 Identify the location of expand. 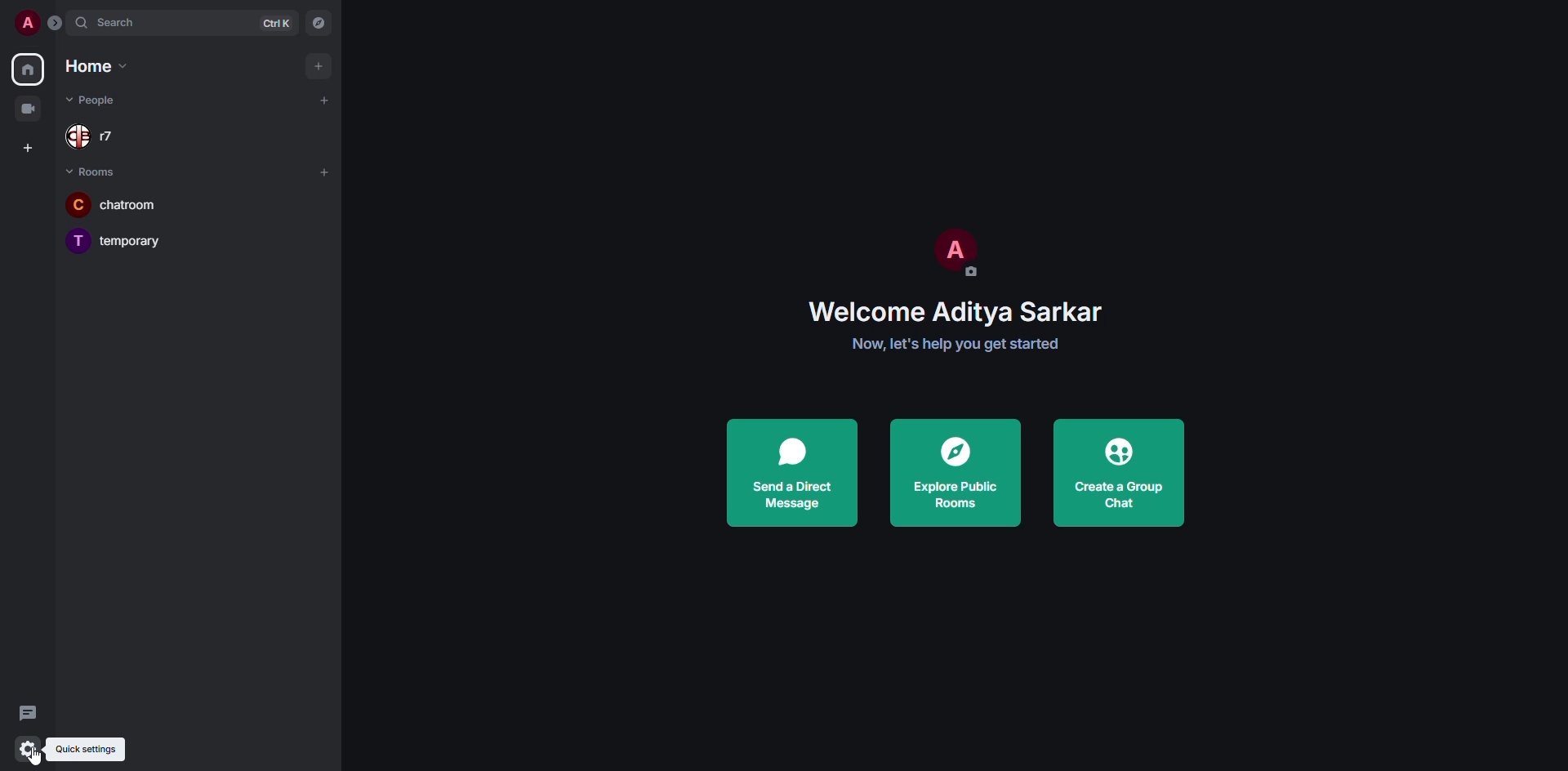
(57, 25).